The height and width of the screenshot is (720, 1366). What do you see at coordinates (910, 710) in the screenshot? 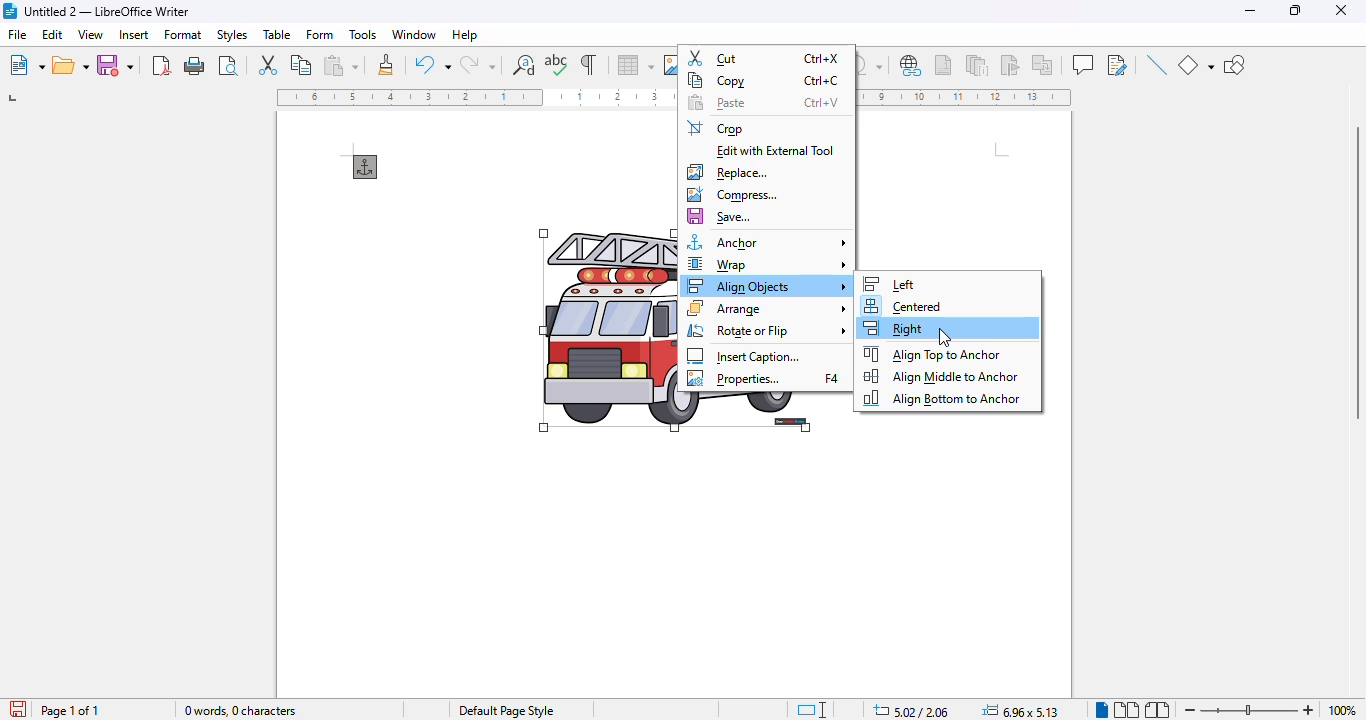
I see `X & Y coordinated` at bounding box center [910, 710].